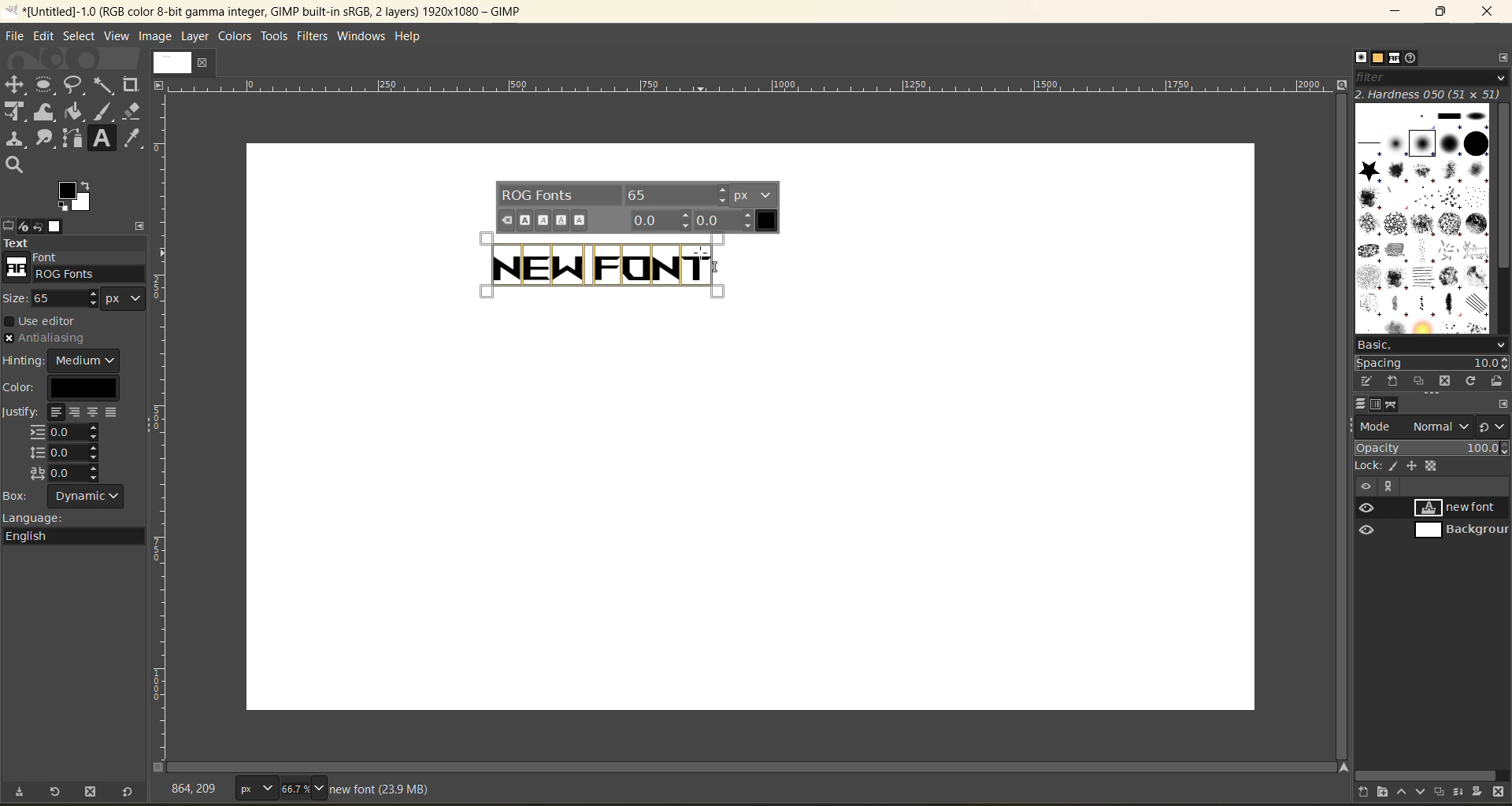 This screenshot has width=1512, height=806. What do you see at coordinates (379, 789) in the screenshot?
I see `metadata` at bounding box center [379, 789].